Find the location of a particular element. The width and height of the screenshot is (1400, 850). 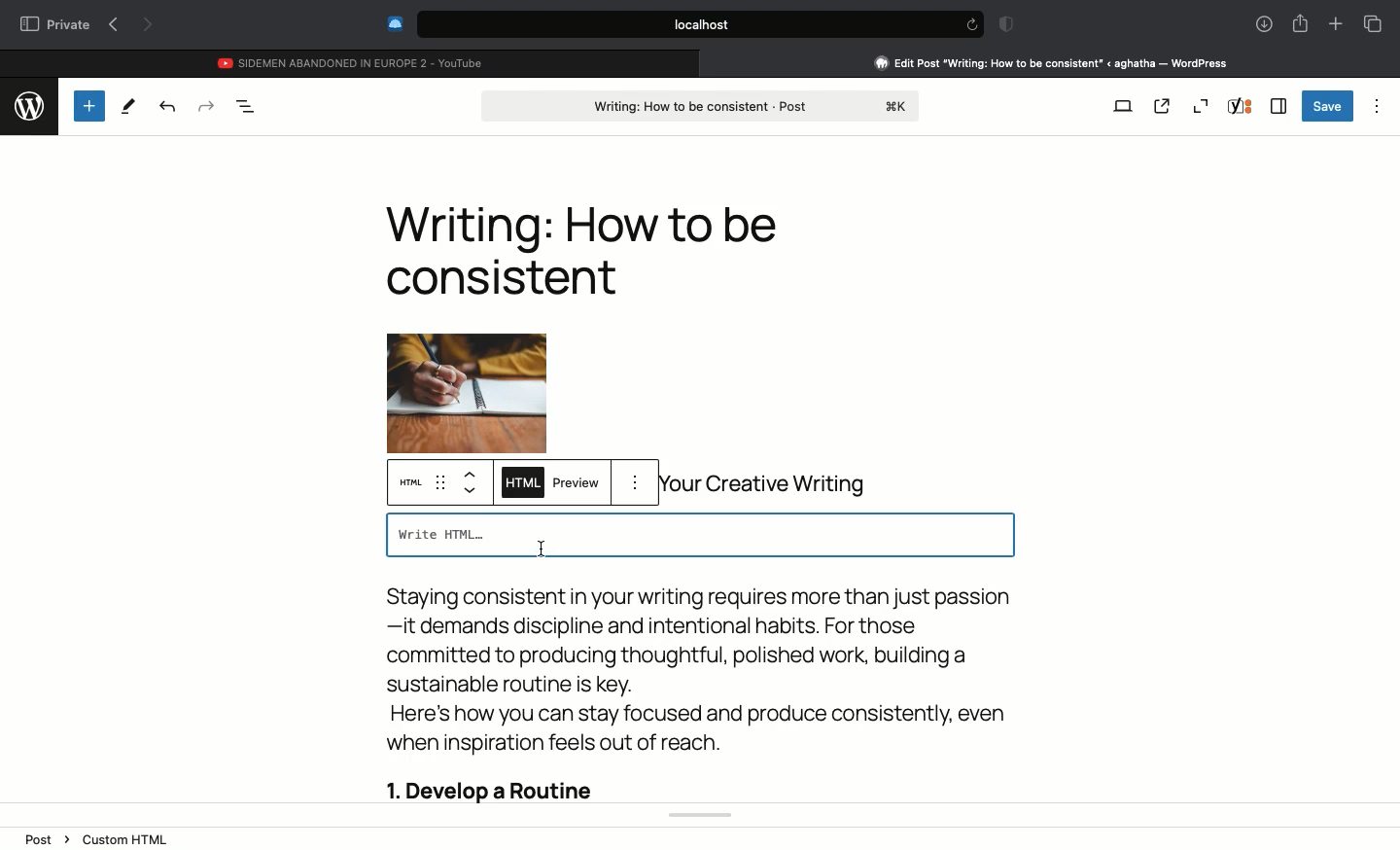

Sidebar is located at coordinates (1278, 106).